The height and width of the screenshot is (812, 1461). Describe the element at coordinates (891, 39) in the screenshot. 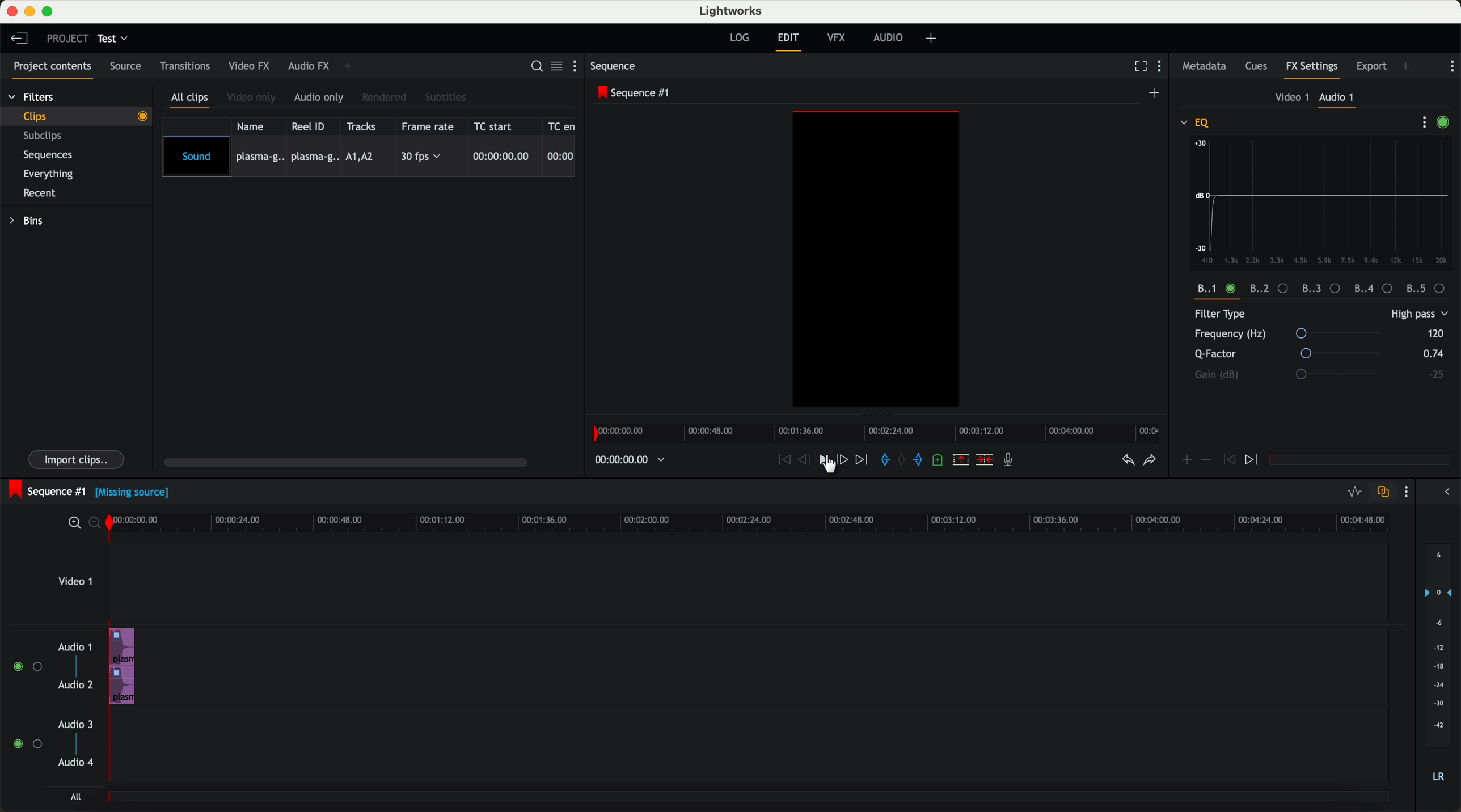

I see `audio` at that location.